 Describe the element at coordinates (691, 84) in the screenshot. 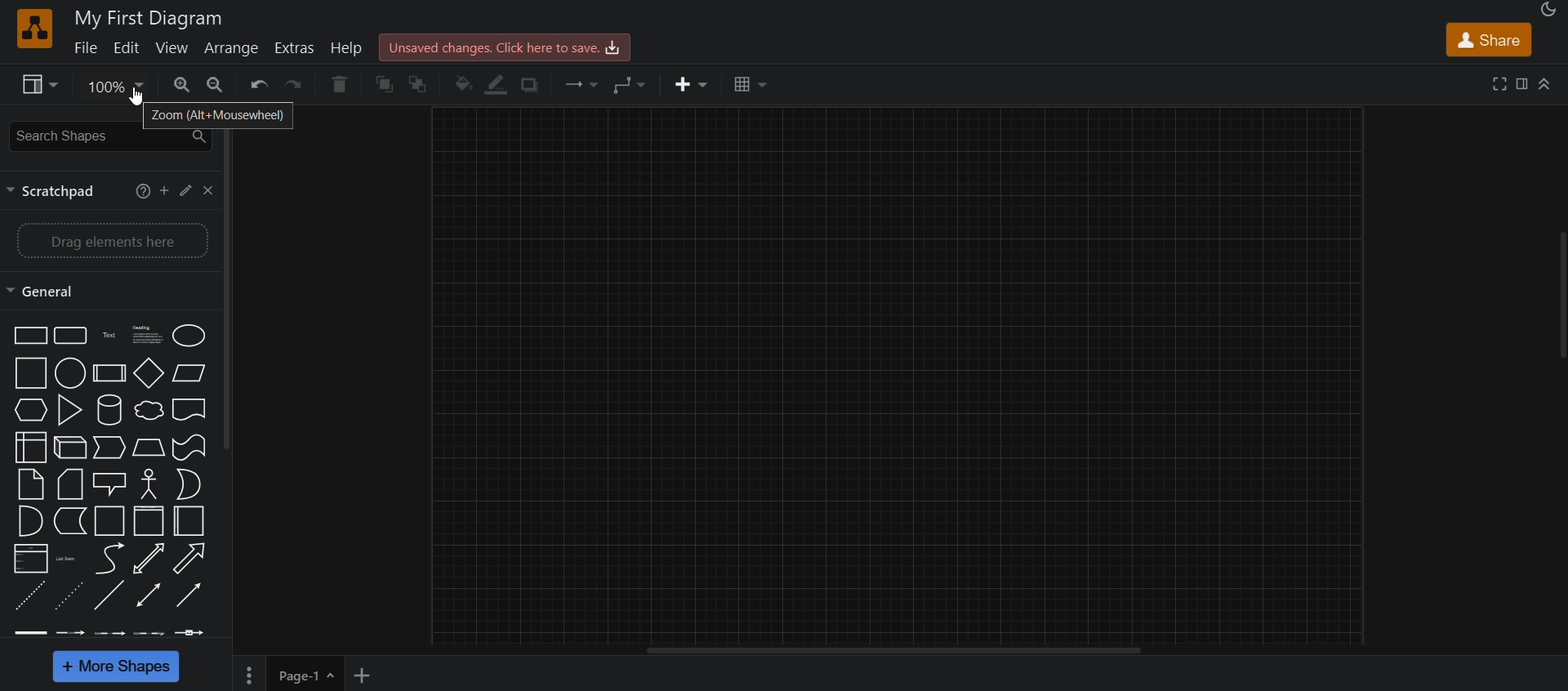

I see `insert` at that location.